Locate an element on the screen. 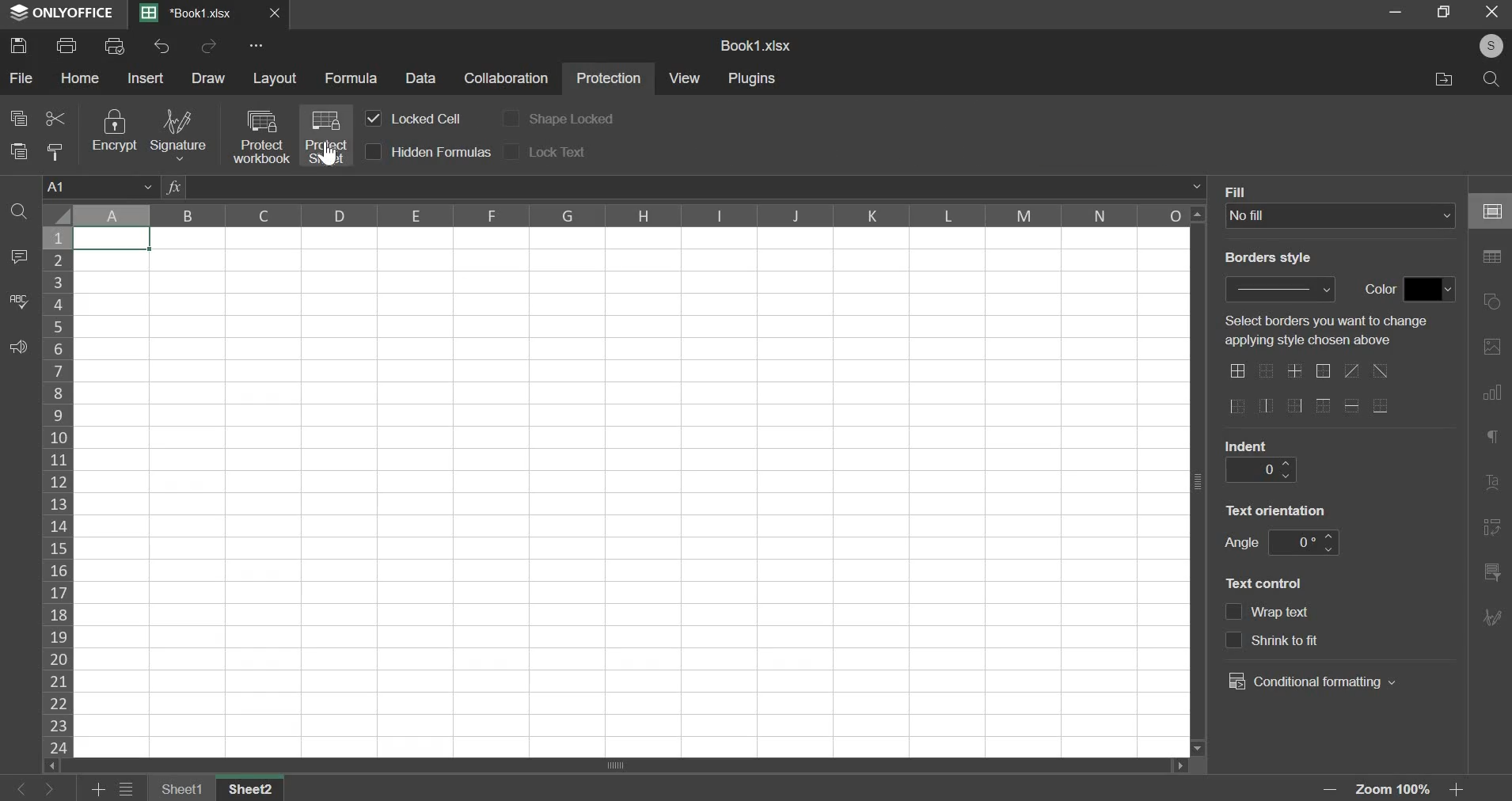 This screenshot has height=801, width=1512. checkbox is located at coordinates (374, 152).